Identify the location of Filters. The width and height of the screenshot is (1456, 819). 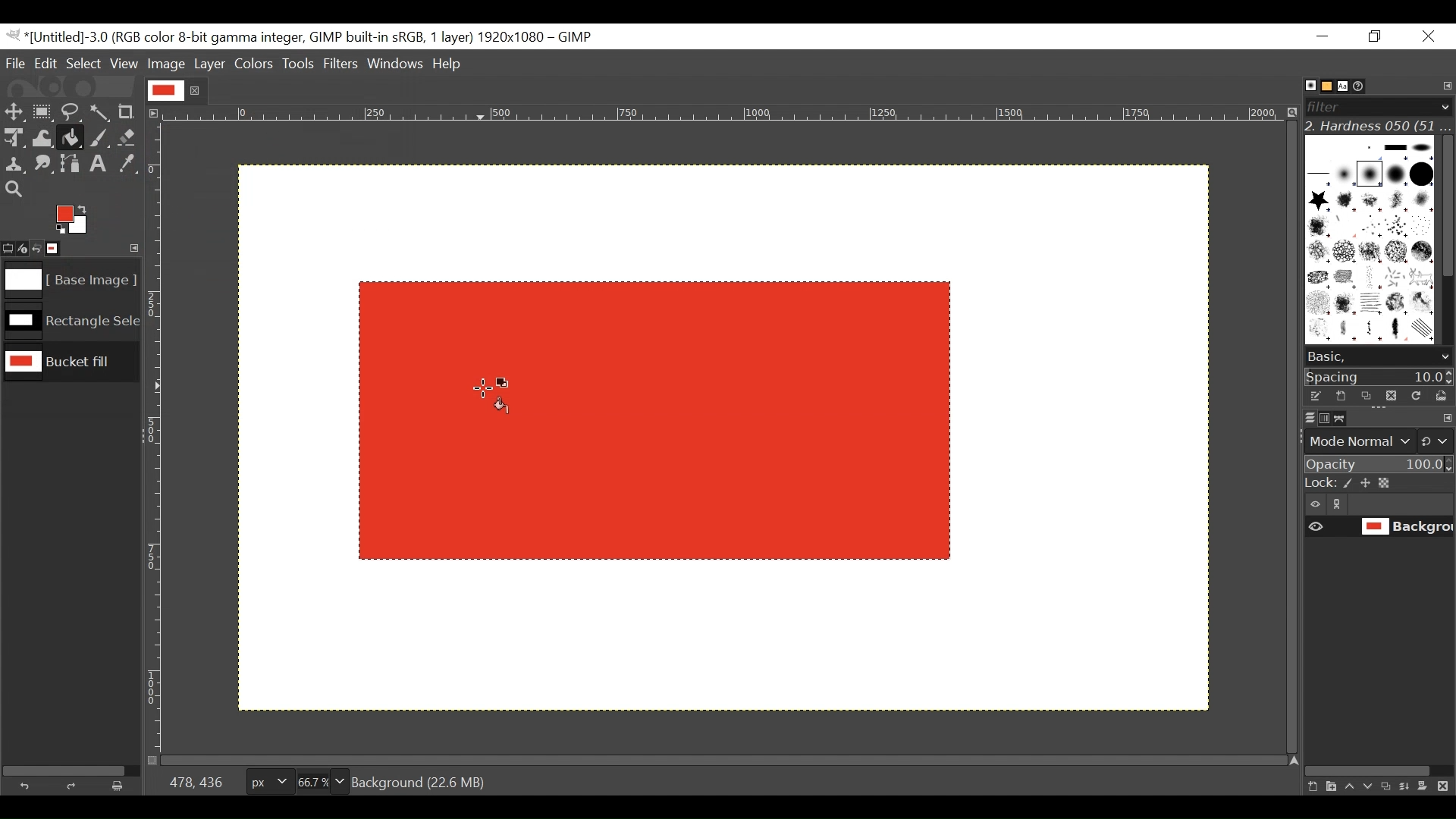
(342, 65).